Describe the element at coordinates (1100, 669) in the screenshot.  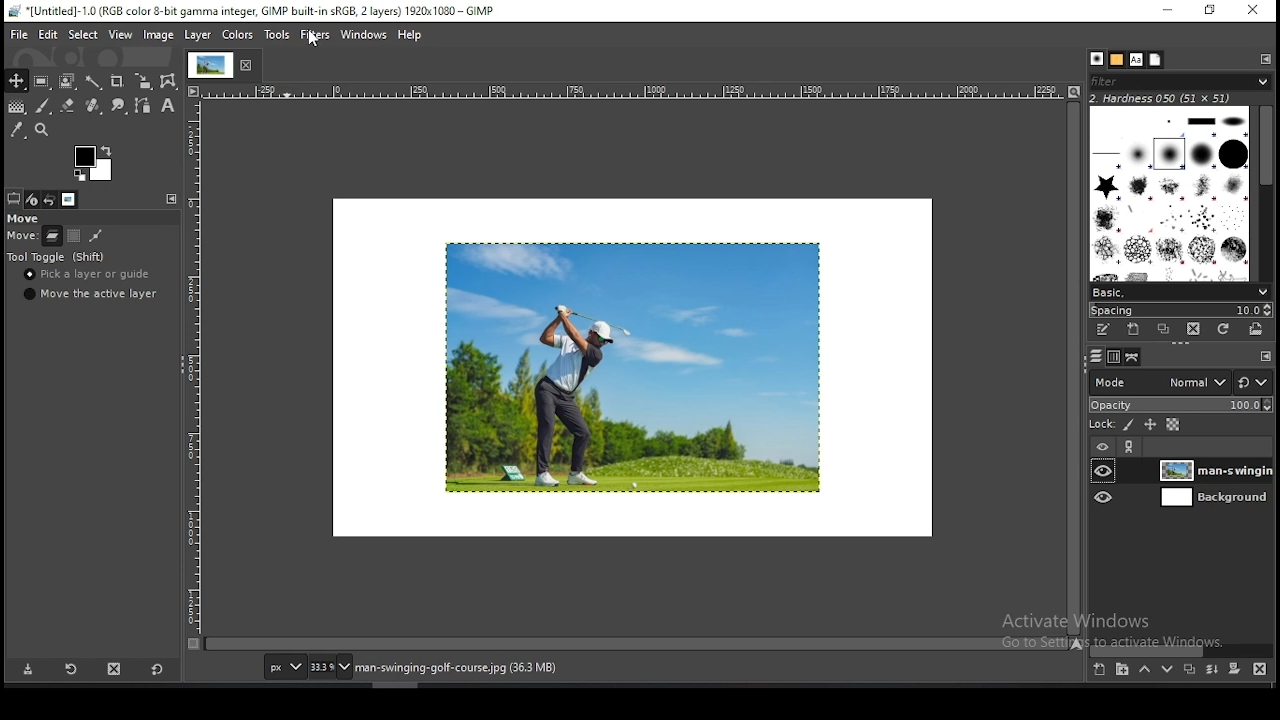
I see `create a new layer` at that location.